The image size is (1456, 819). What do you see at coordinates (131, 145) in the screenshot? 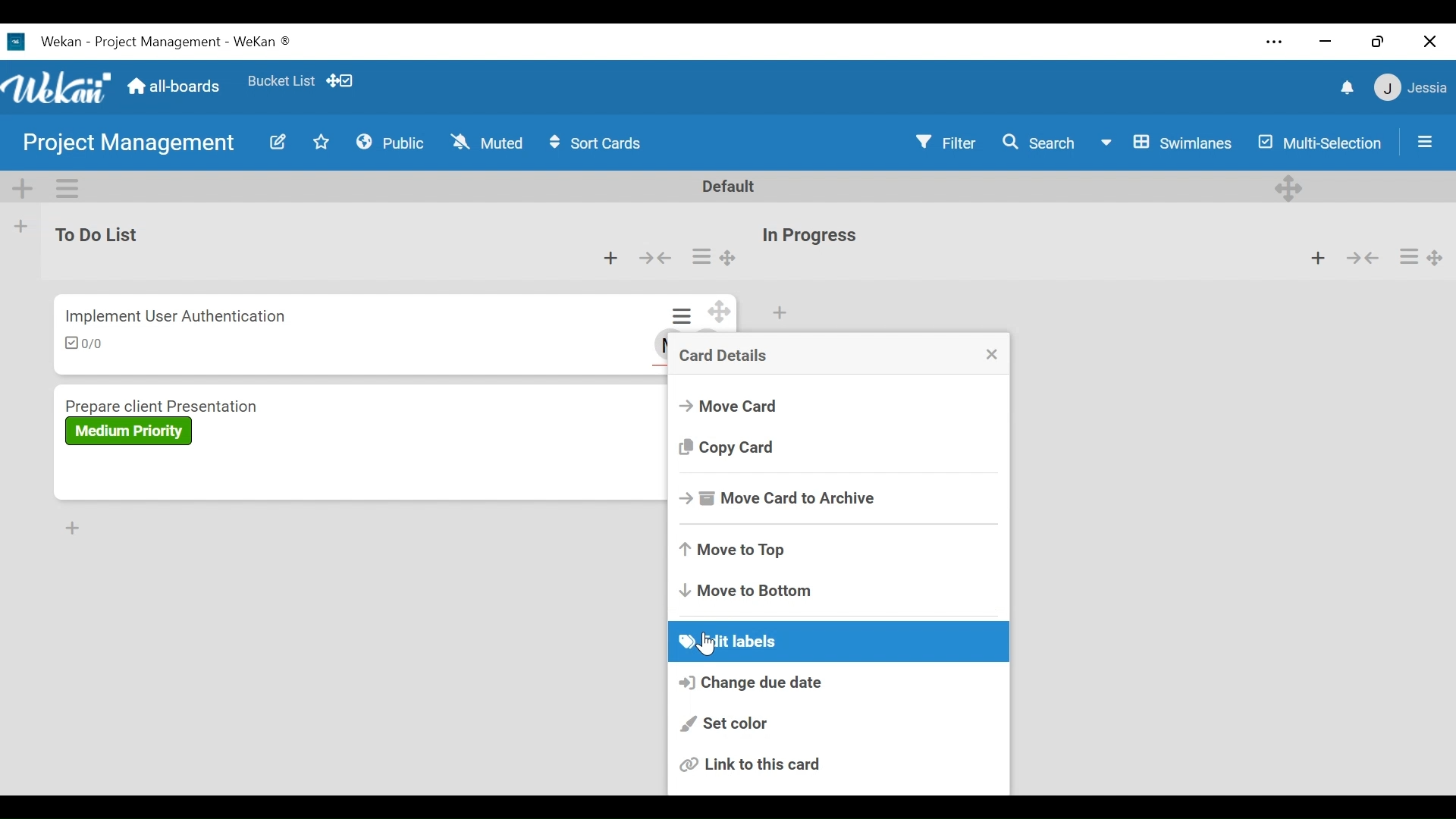
I see `Board Name` at bounding box center [131, 145].